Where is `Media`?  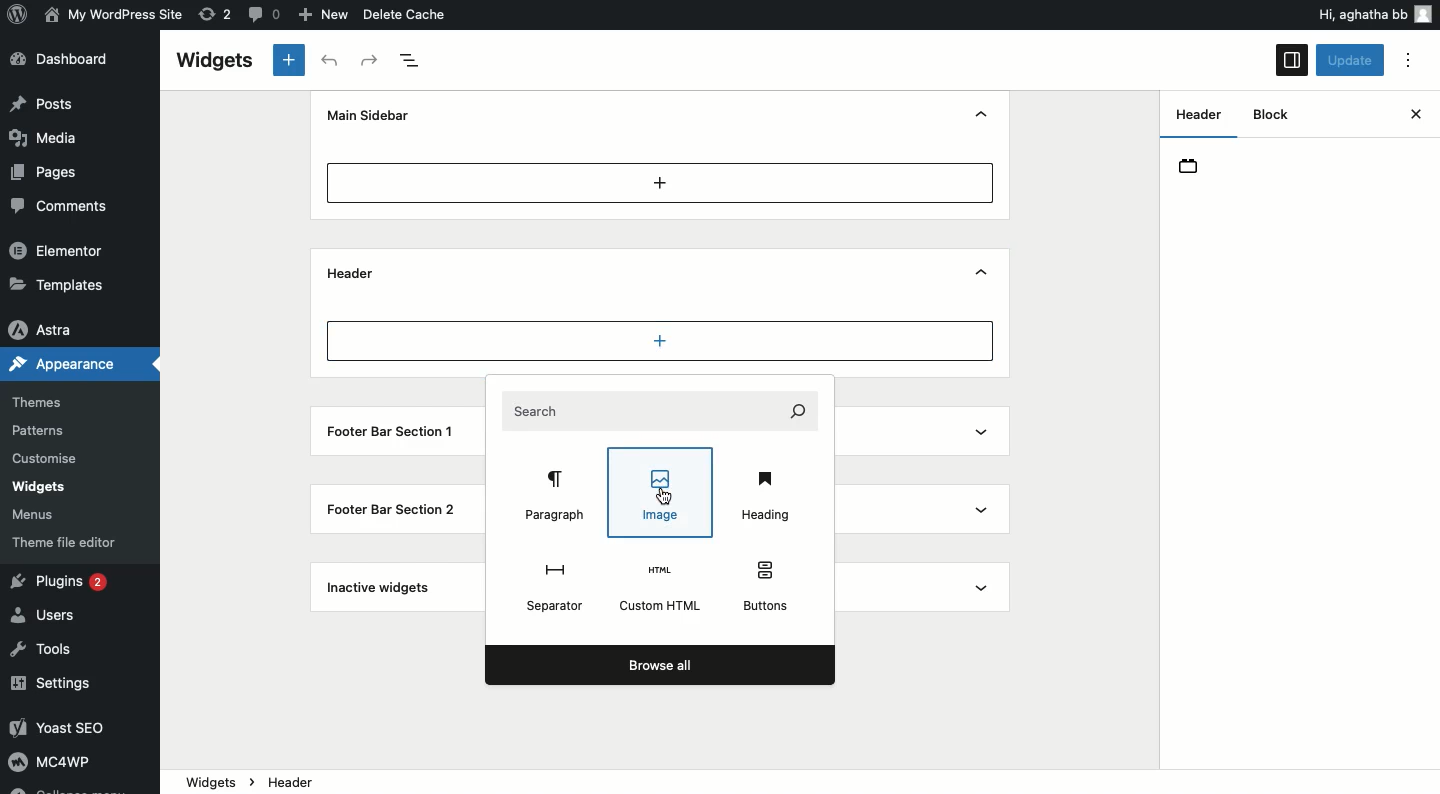
Media is located at coordinates (46, 136).